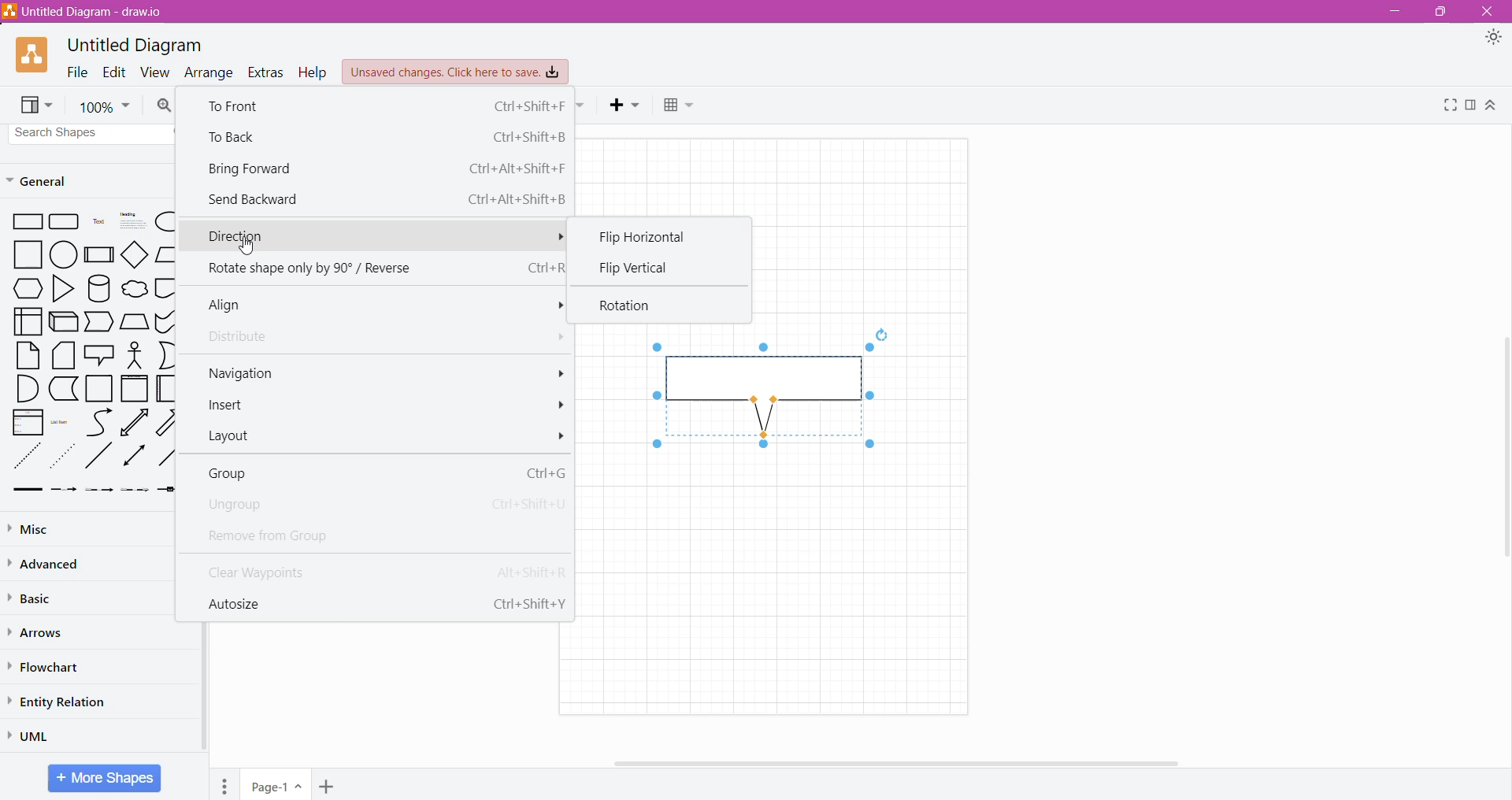 Image resolution: width=1512 pixels, height=800 pixels. I want to click on Bring Forward, so click(385, 168).